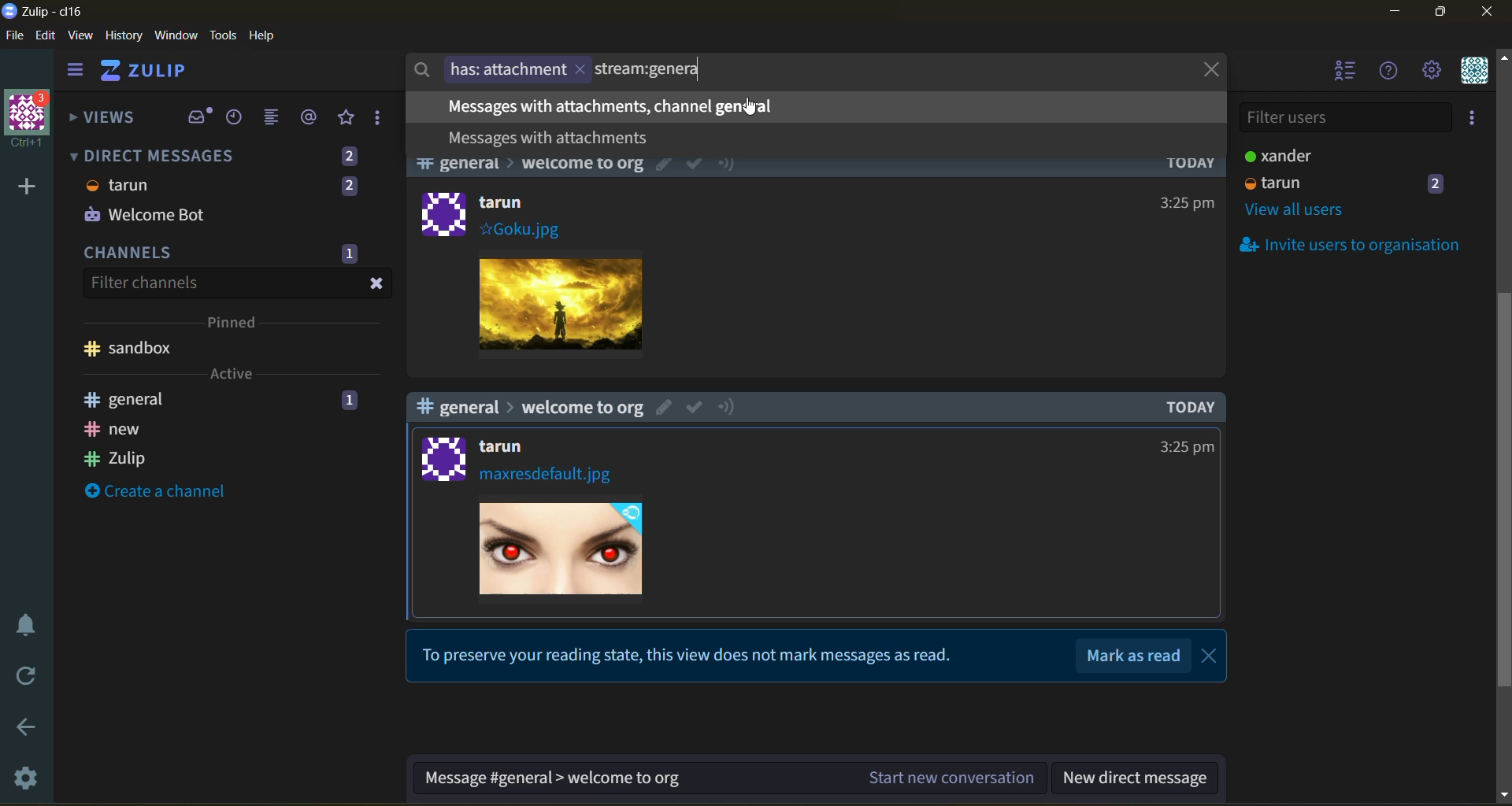  Describe the element at coordinates (235, 118) in the screenshot. I see `recent conversations` at that location.